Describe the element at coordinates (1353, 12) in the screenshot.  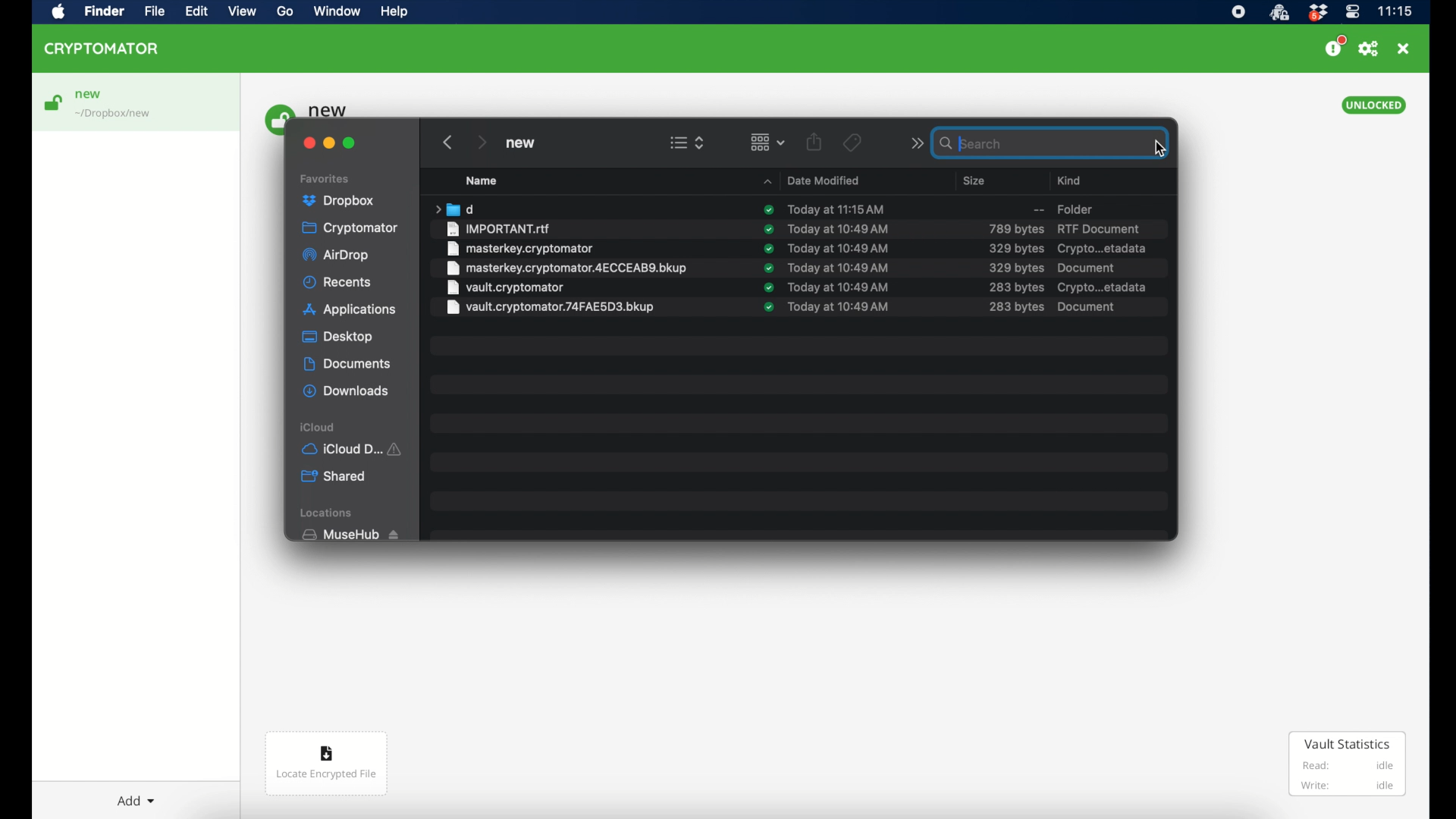
I see `control center` at that location.